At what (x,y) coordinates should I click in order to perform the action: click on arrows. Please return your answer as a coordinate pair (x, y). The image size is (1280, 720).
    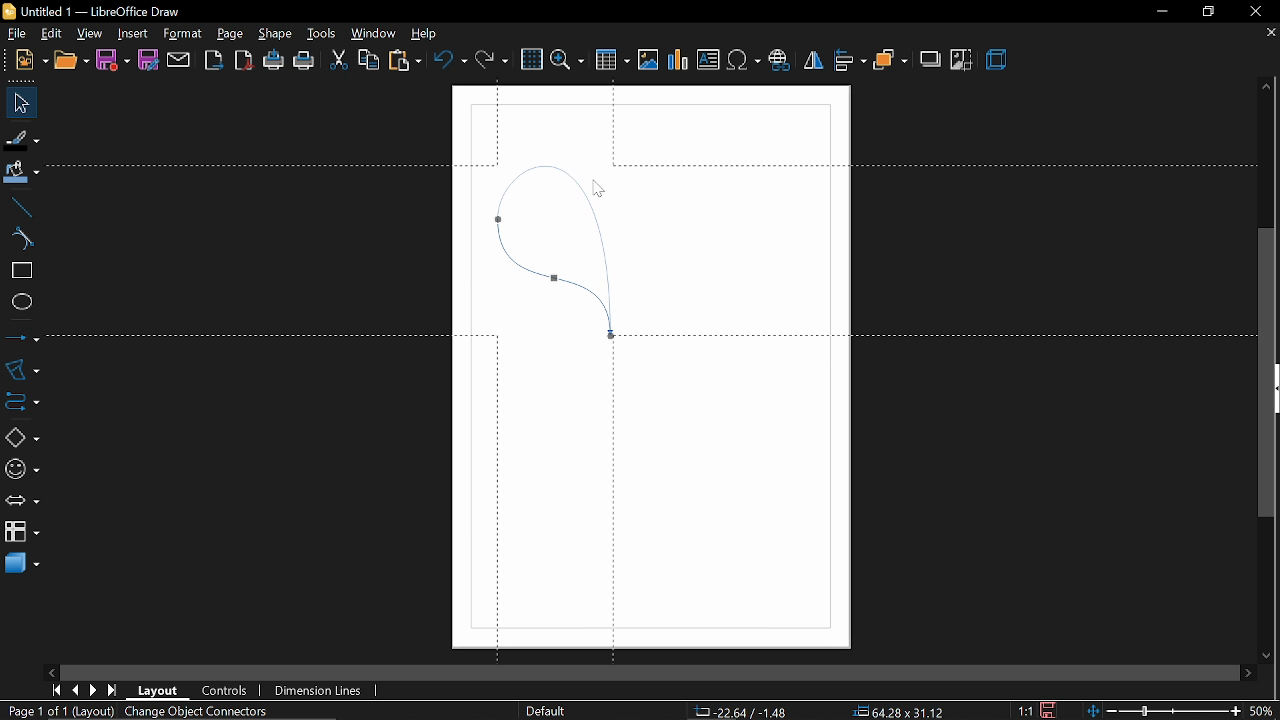
    Looking at the image, I should click on (19, 499).